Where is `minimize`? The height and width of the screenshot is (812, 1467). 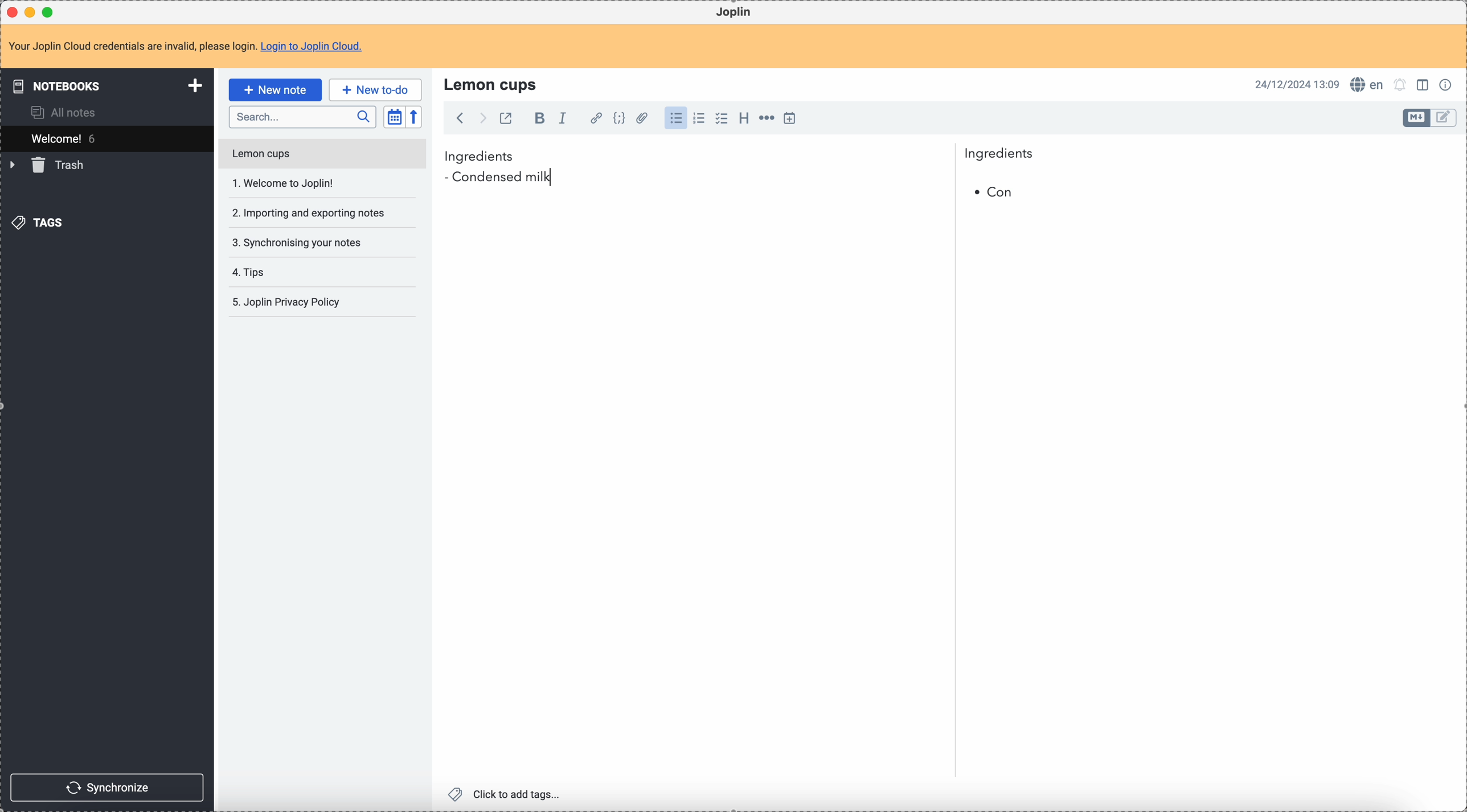
minimize is located at coordinates (32, 13).